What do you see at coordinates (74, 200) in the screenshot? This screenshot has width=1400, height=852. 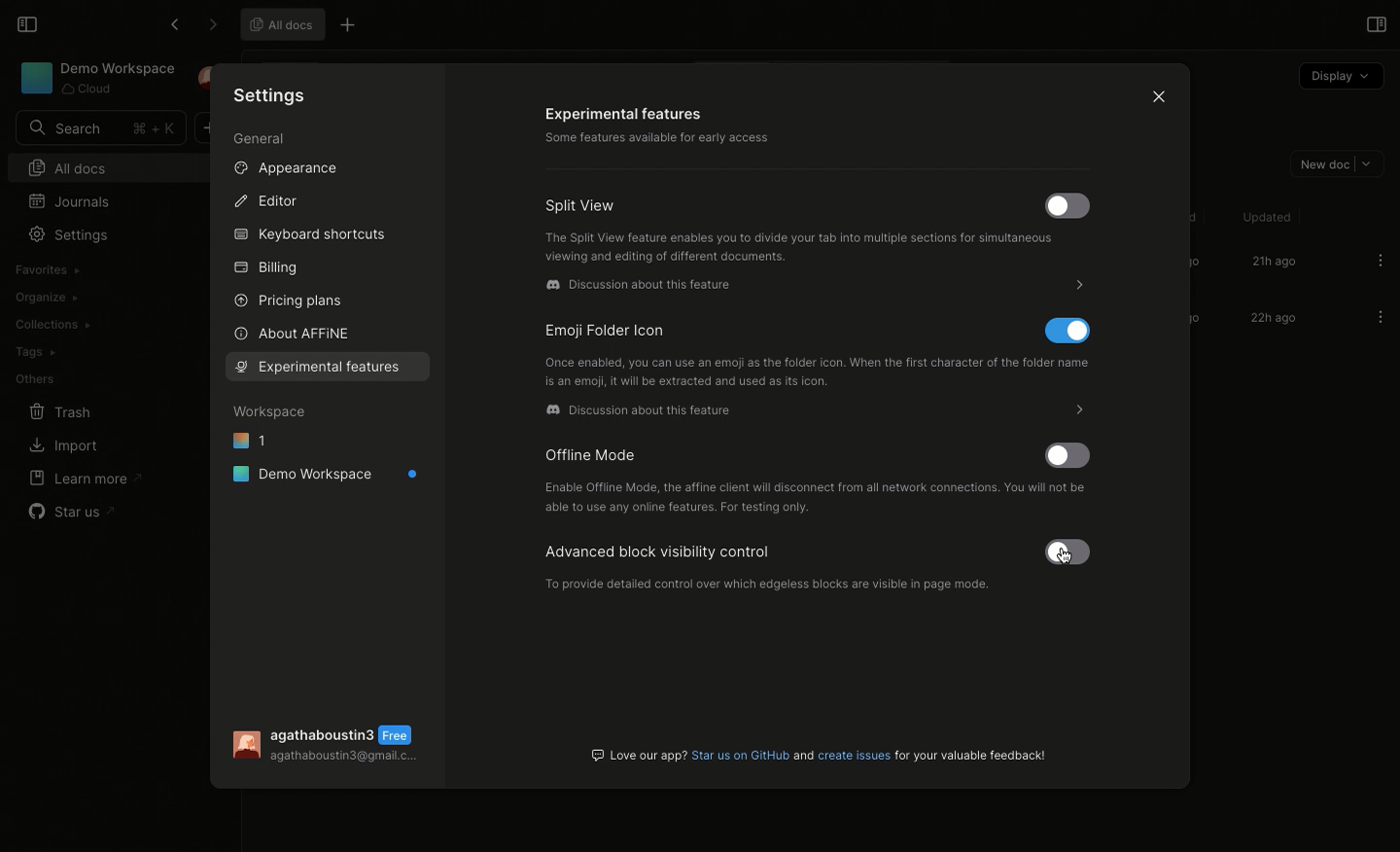 I see `Journals` at bounding box center [74, 200].